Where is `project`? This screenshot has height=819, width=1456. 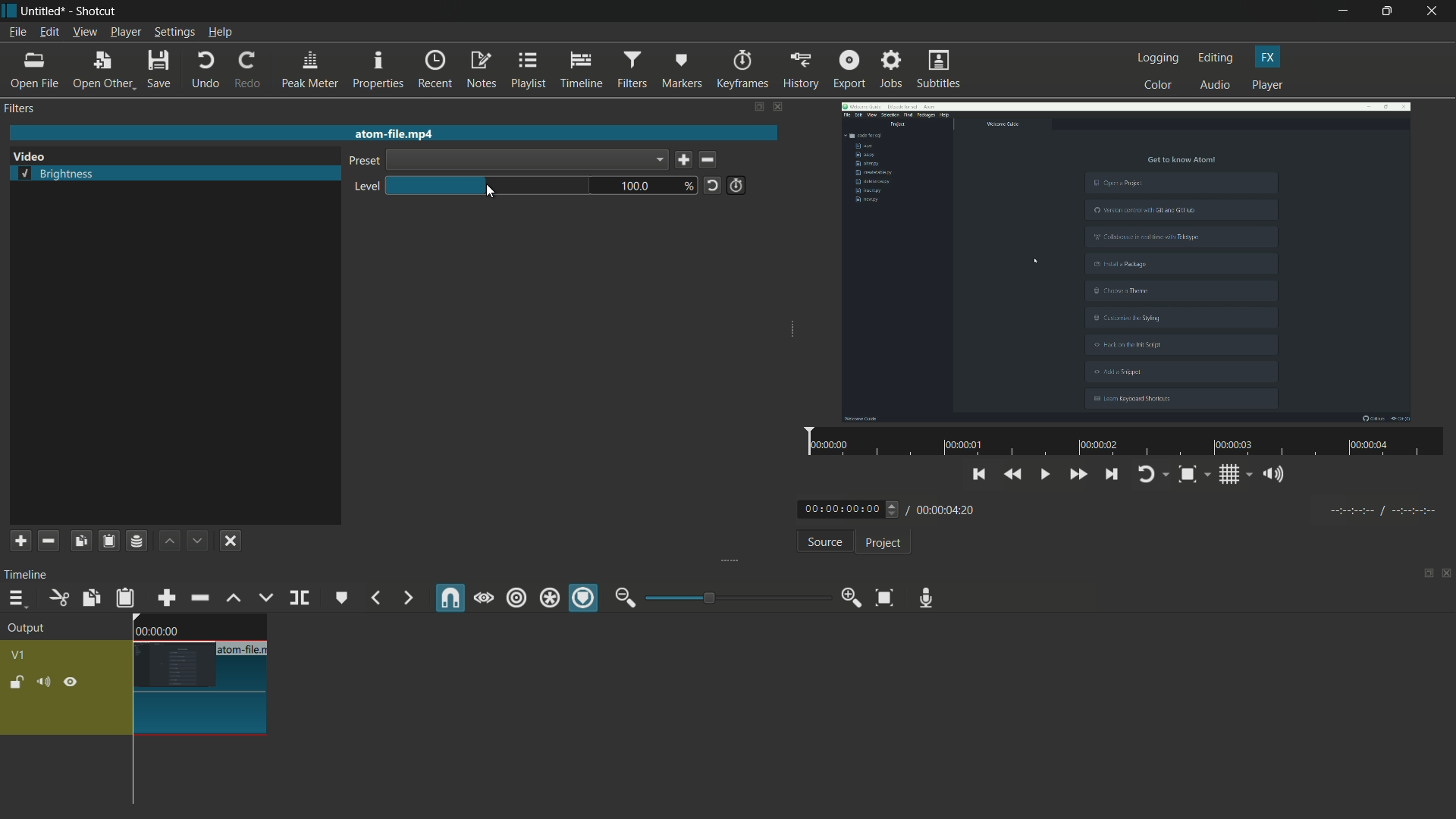
project is located at coordinates (881, 543).